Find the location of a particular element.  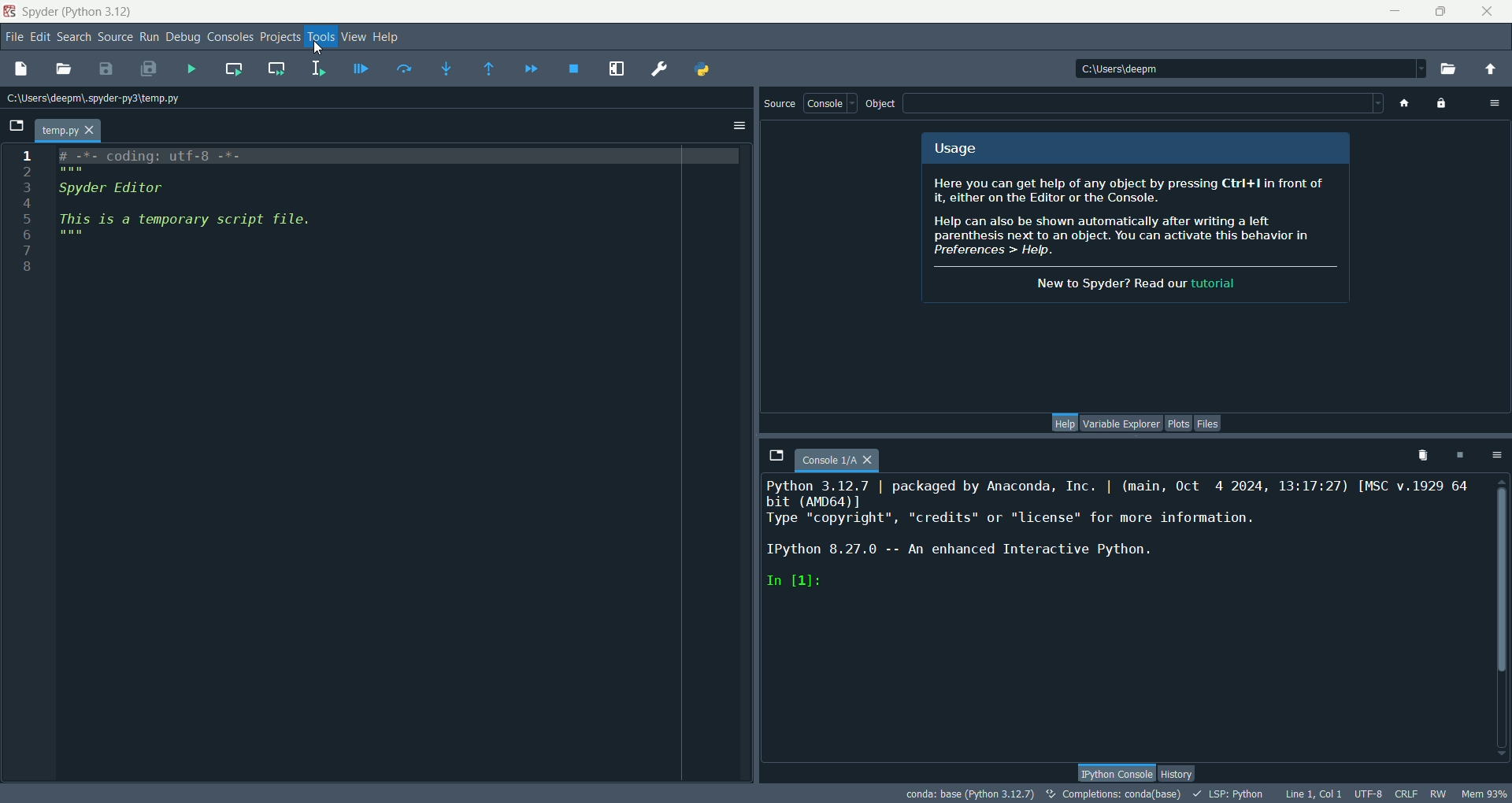

search is located at coordinates (72, 39).